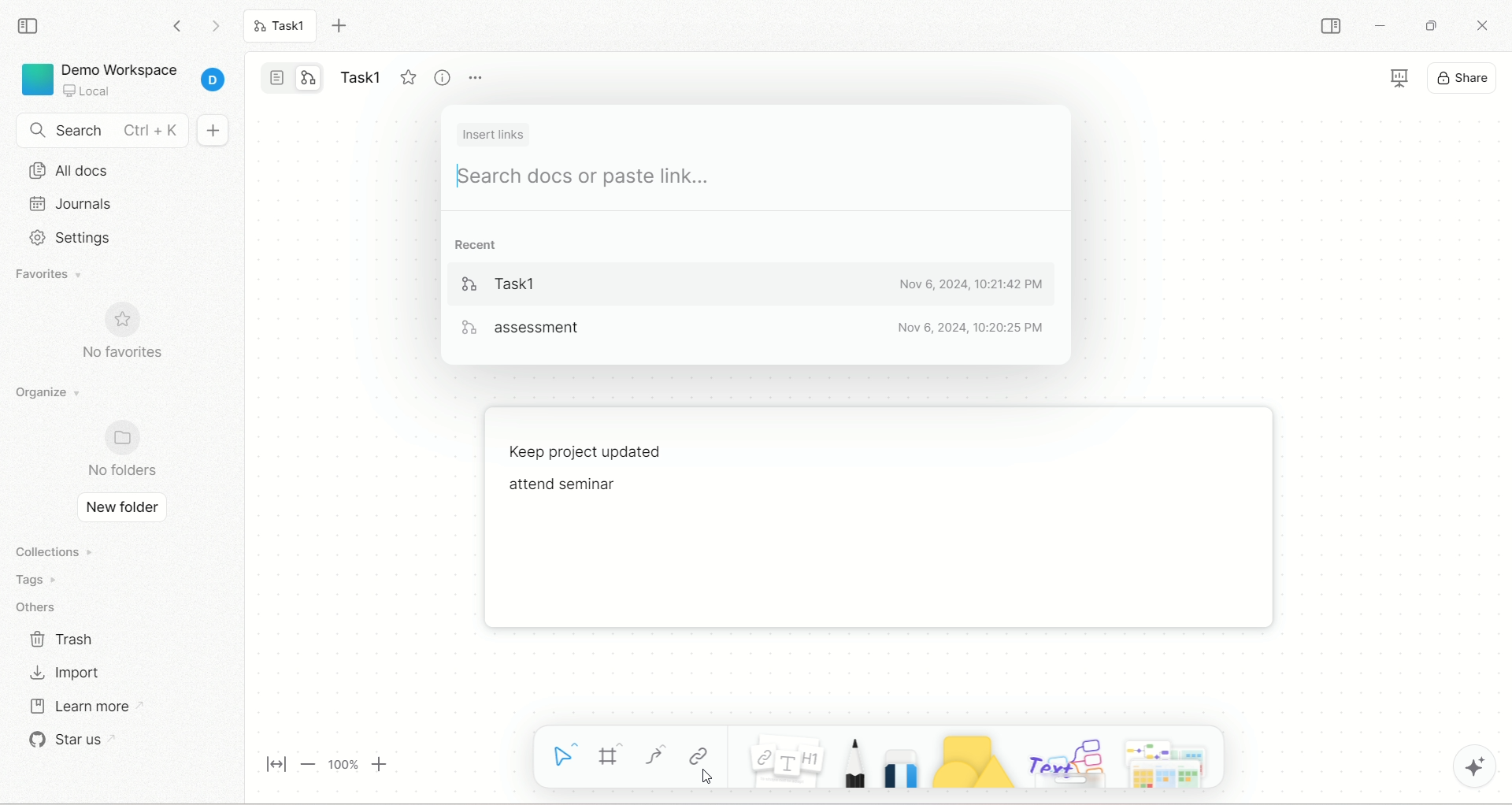 The height and width of the screenshot is (805, 1512). I want to click on settings, so click(109, 236).